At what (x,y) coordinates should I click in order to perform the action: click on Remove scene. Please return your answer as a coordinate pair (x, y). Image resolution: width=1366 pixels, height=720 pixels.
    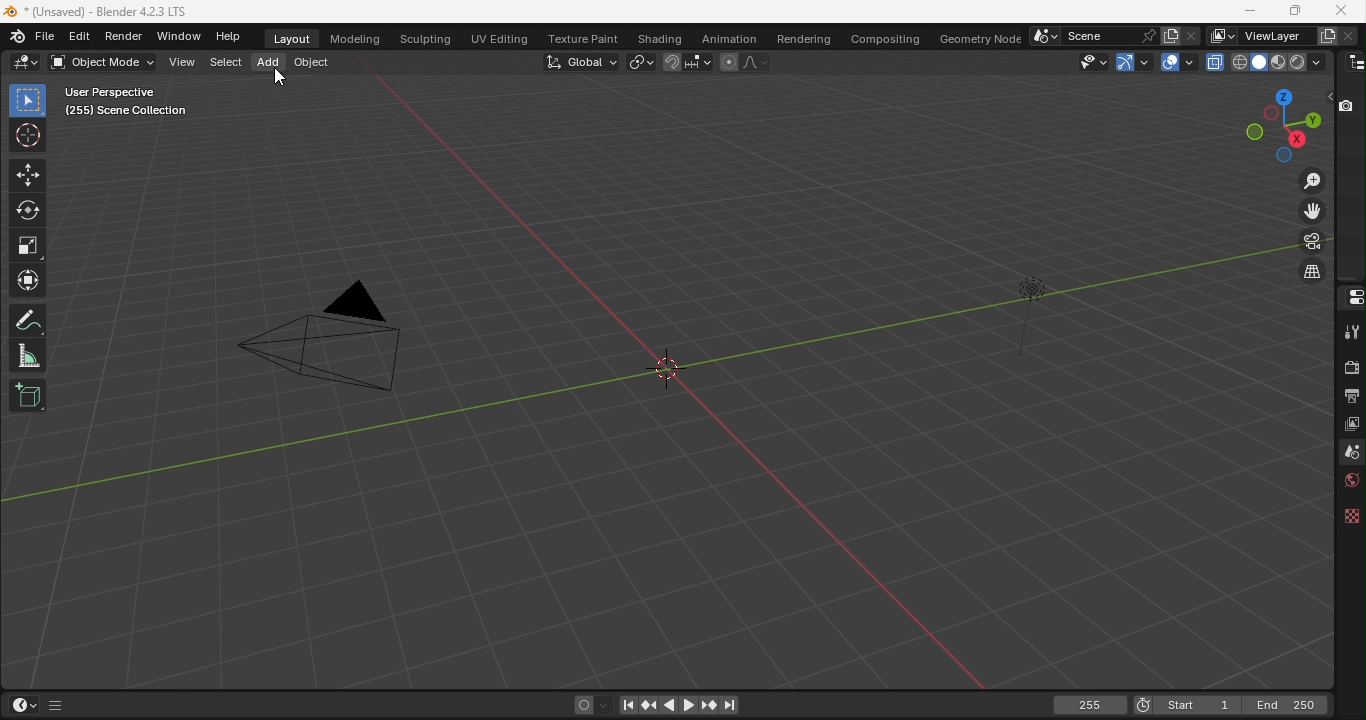
    Looking at the image, I should click on (1191, 36).